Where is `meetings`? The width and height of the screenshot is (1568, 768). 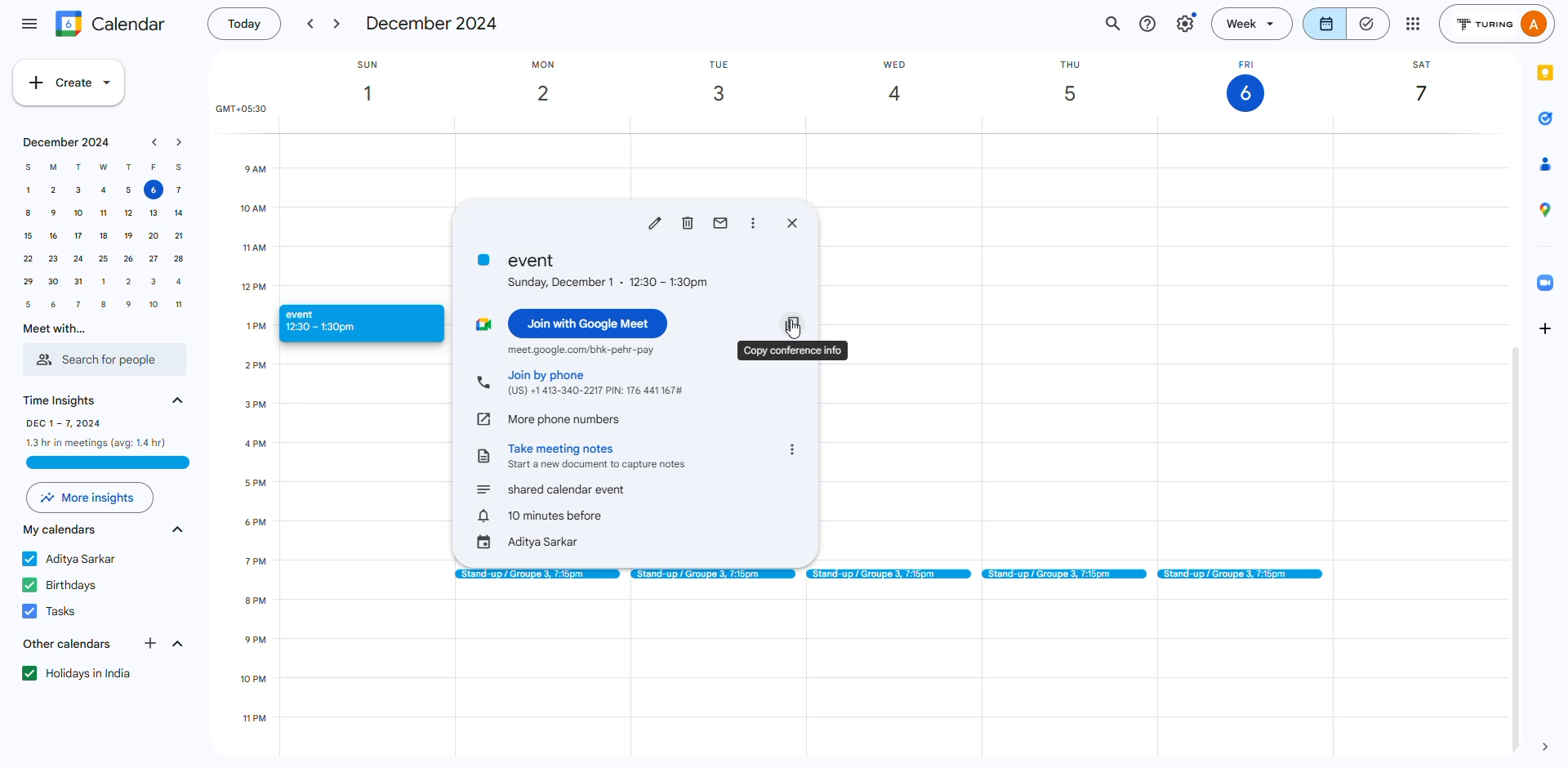
meetings is located at coordinates (711, 574).